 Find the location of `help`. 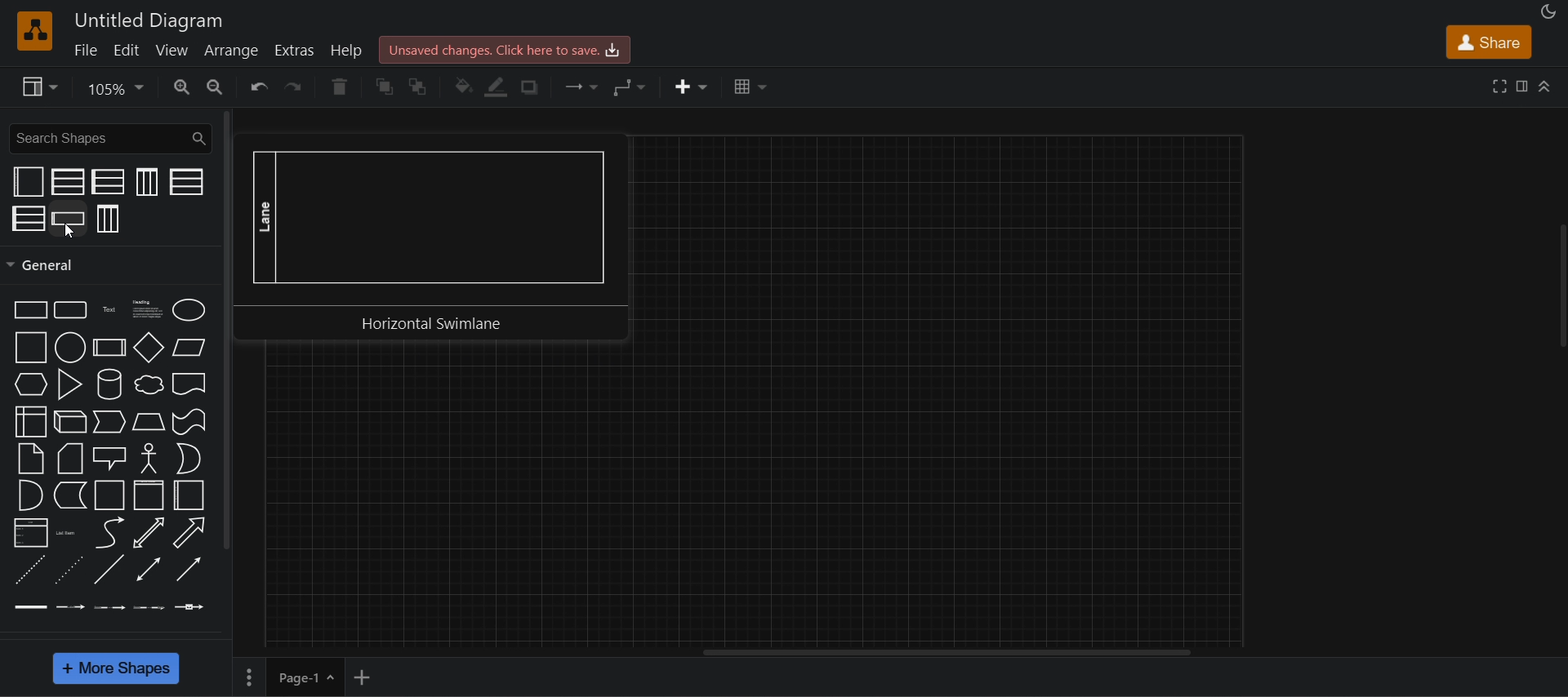

help is located at coordinates (351, 52).